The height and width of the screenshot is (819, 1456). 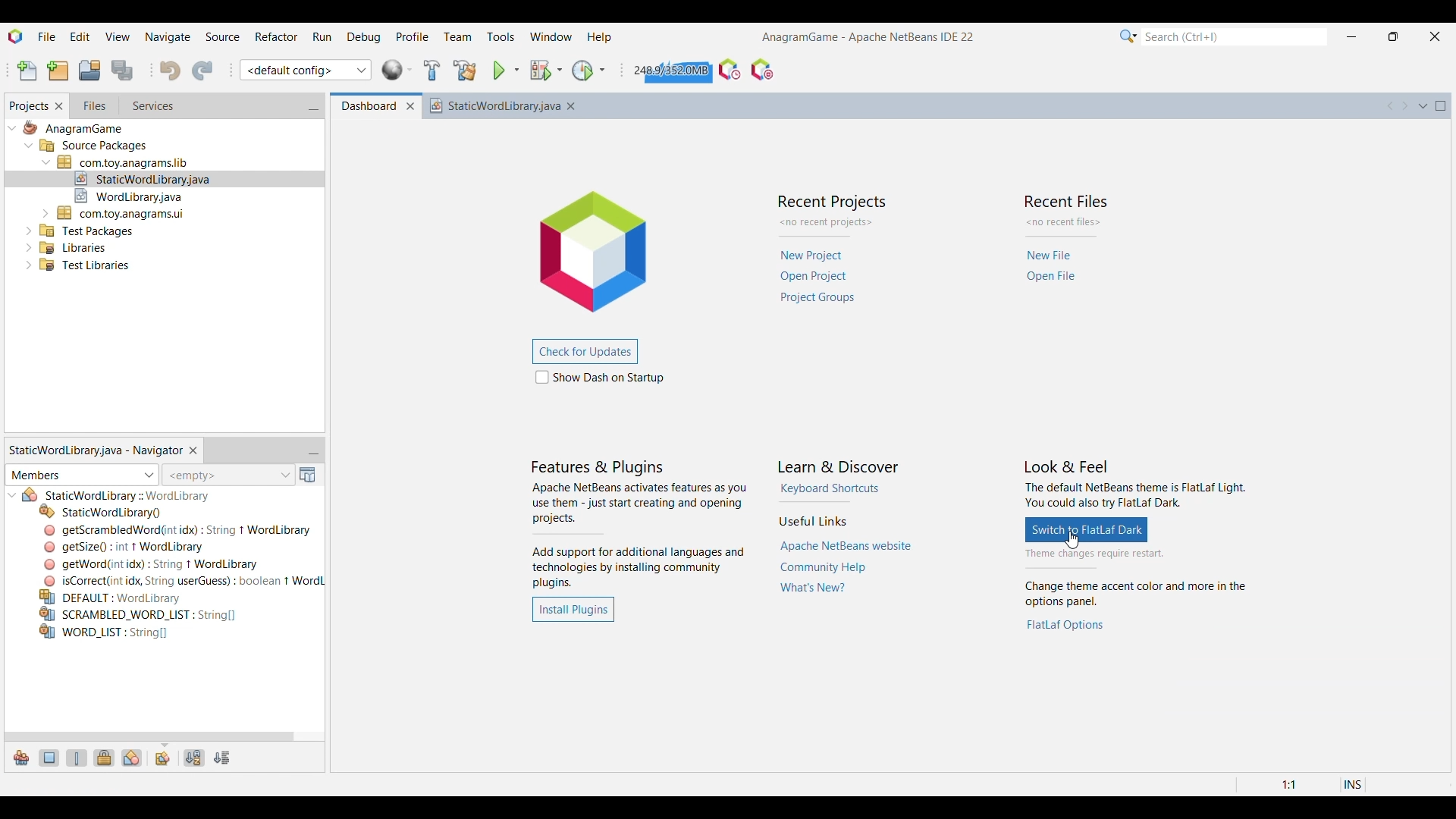 I want to click on StaticWordLibraryjava X, so click(x=507, y=105).